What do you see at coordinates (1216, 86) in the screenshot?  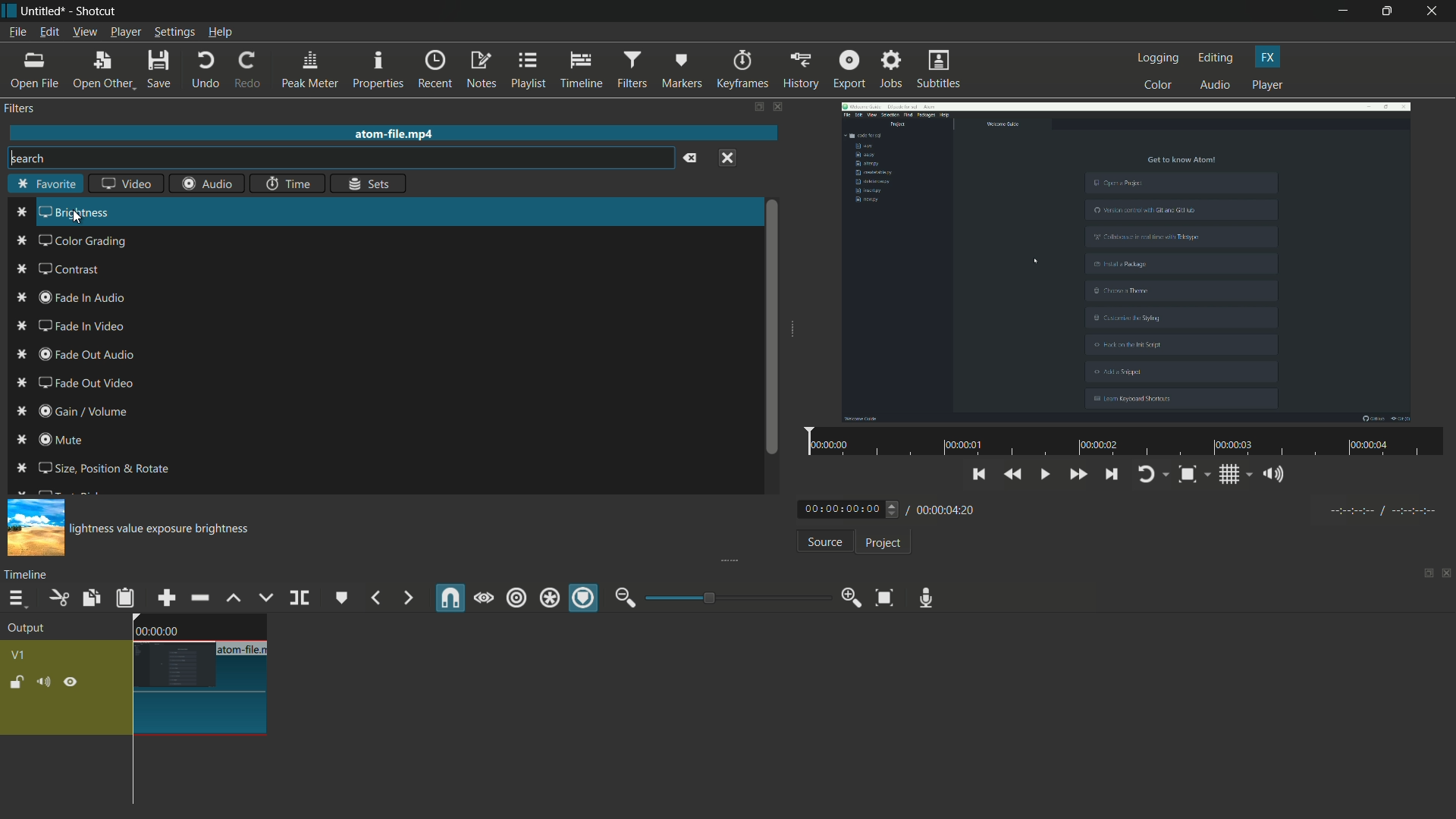 I see `audio` at bounding box center [1216, 86].